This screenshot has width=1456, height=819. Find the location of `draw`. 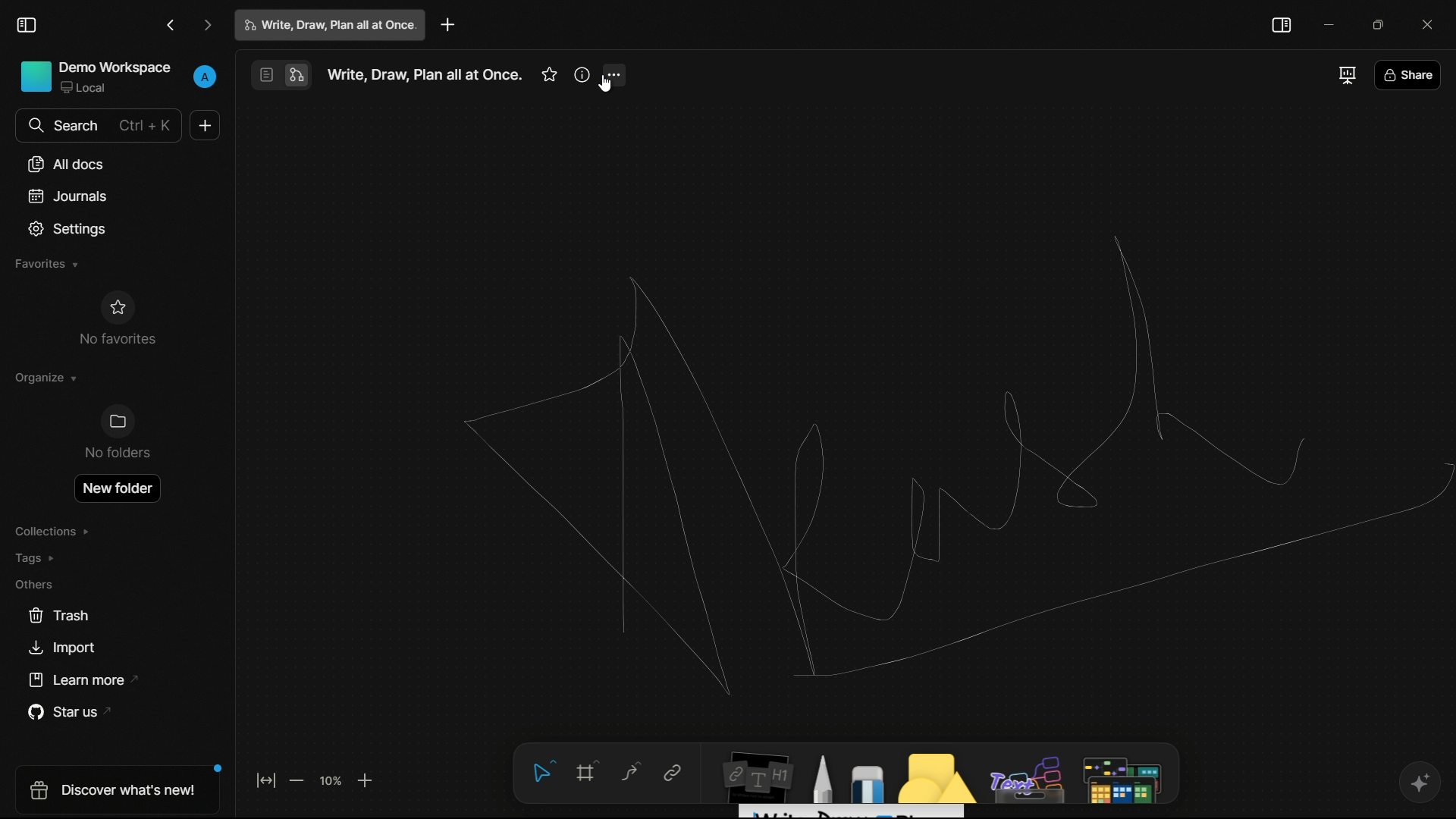

draw is located at coordinates (846, 775).